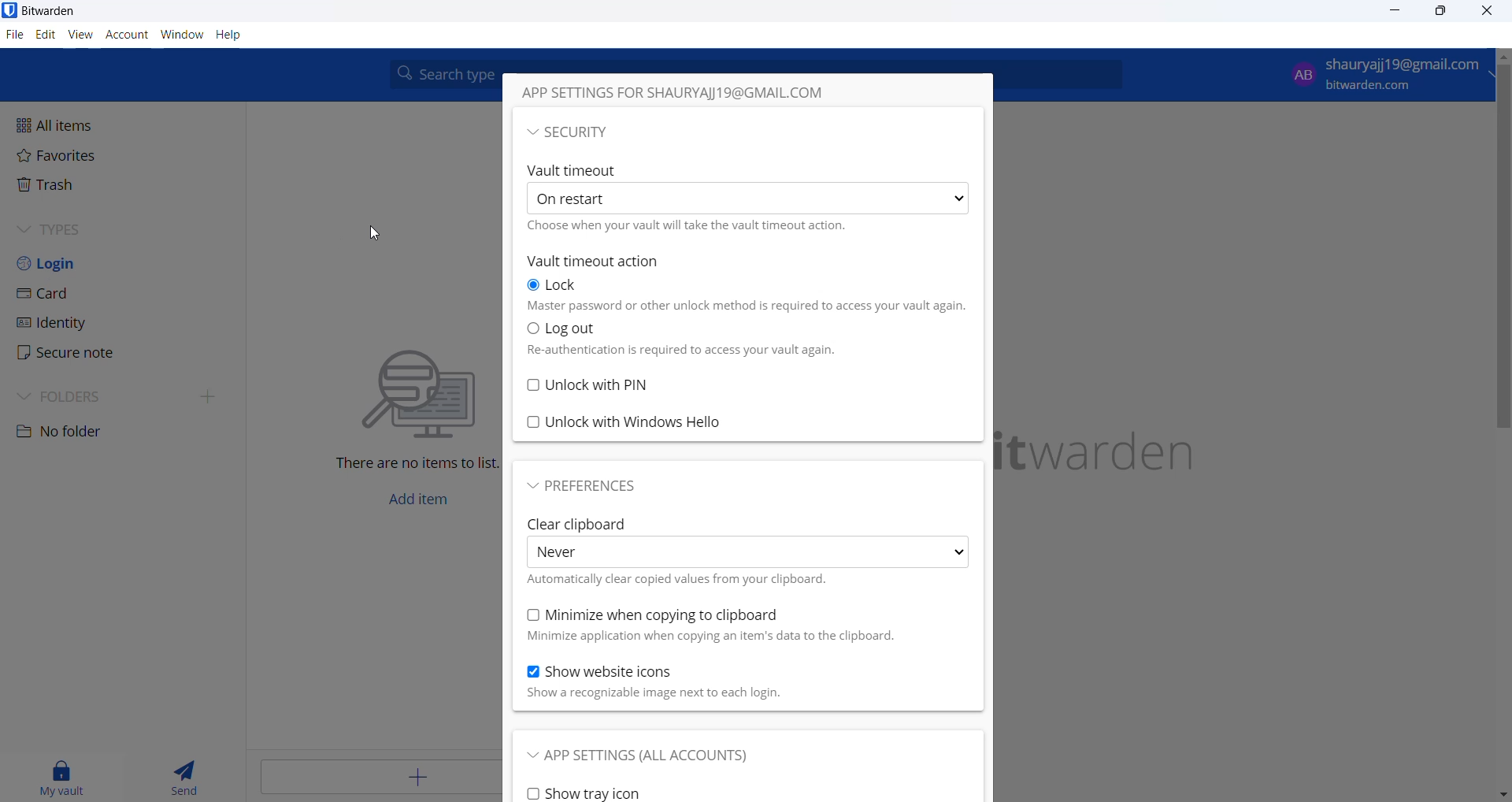  Describe the element at coordinates (1410, 72) in the screenshot. I see `shauryajj19@gmail.com bitwarden.com` at that location.